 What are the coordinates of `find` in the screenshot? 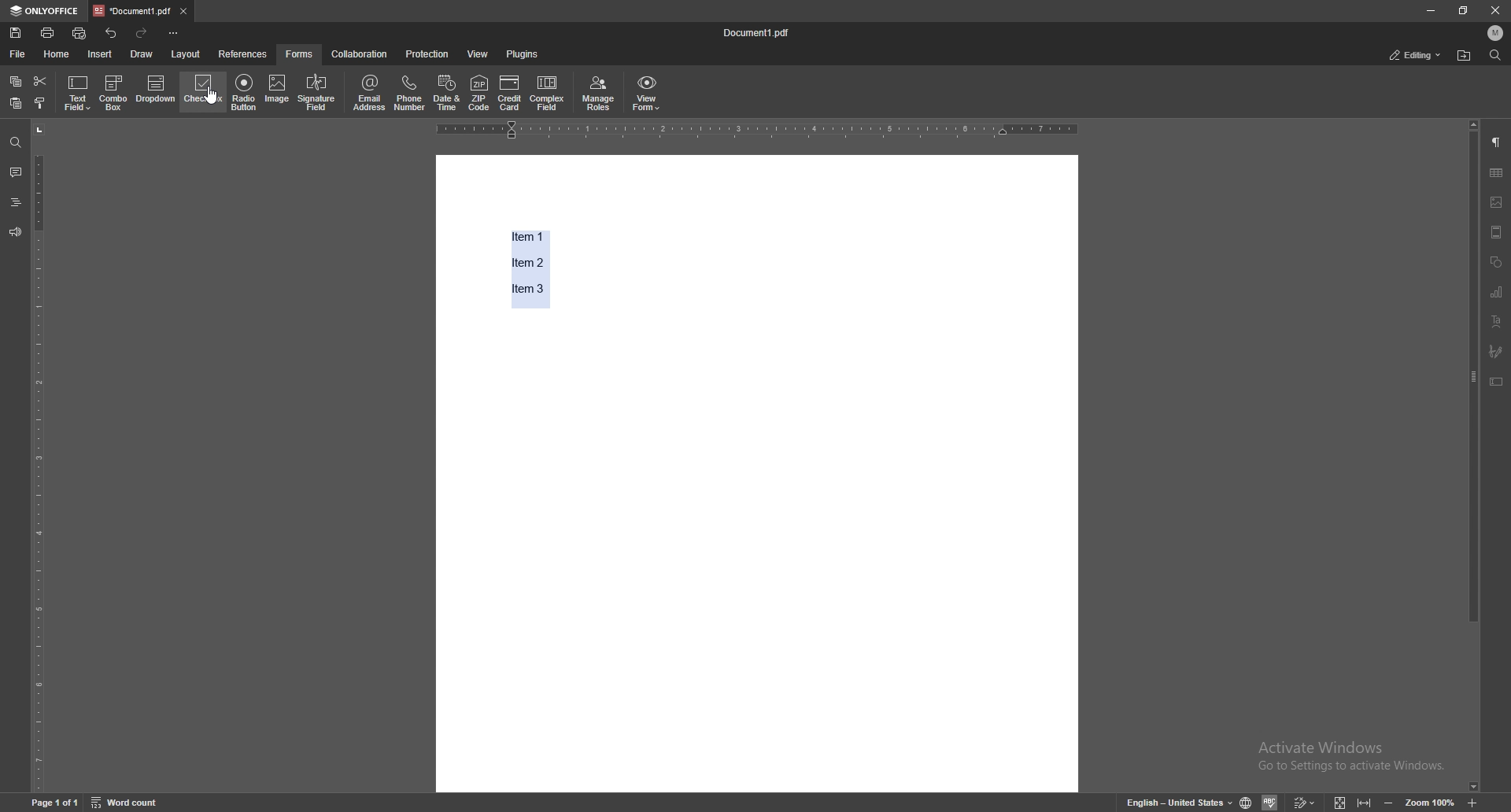 It's located at (1495, 55).